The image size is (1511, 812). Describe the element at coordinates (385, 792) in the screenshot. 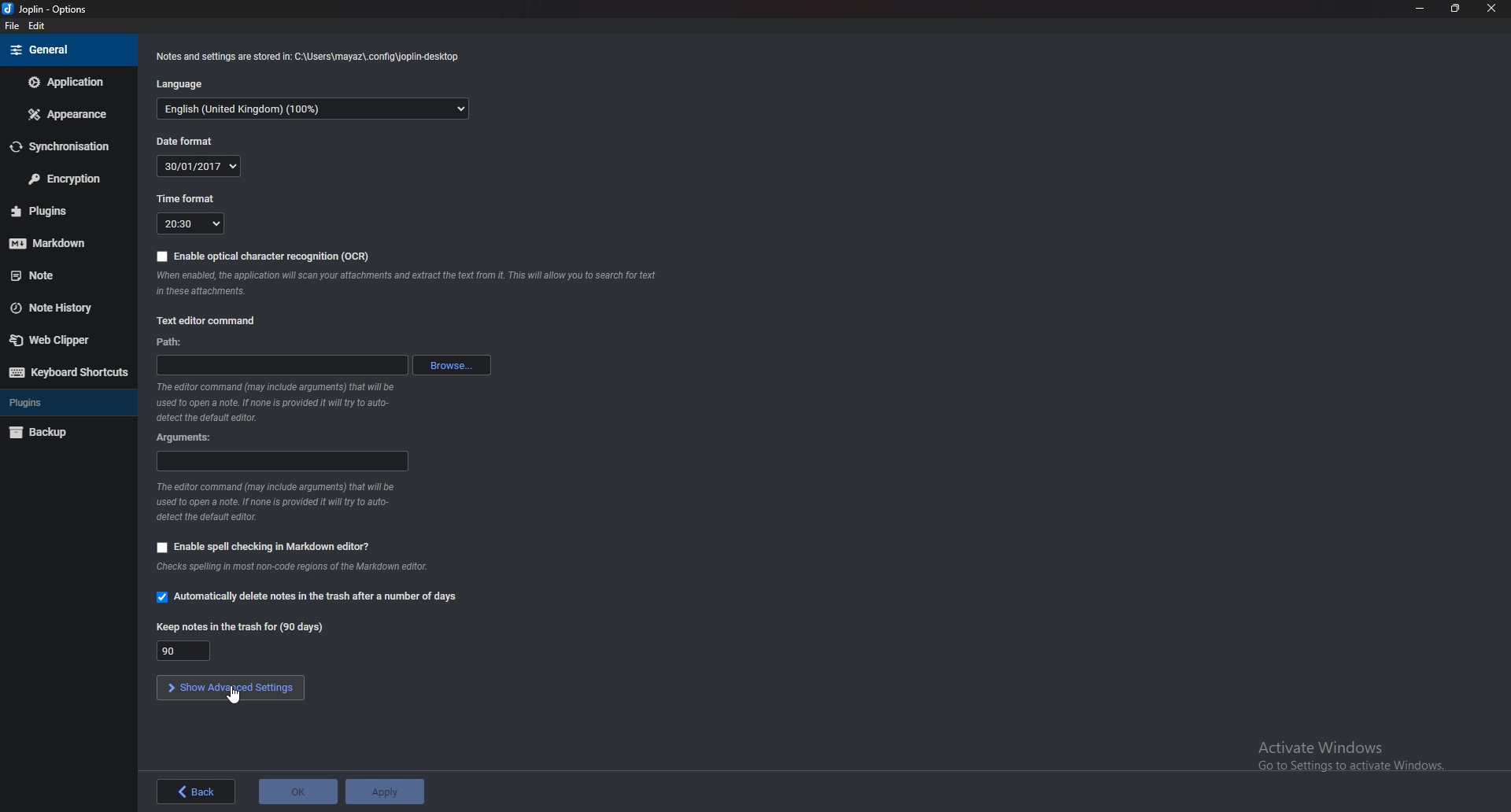

I see `Apply` at that location.